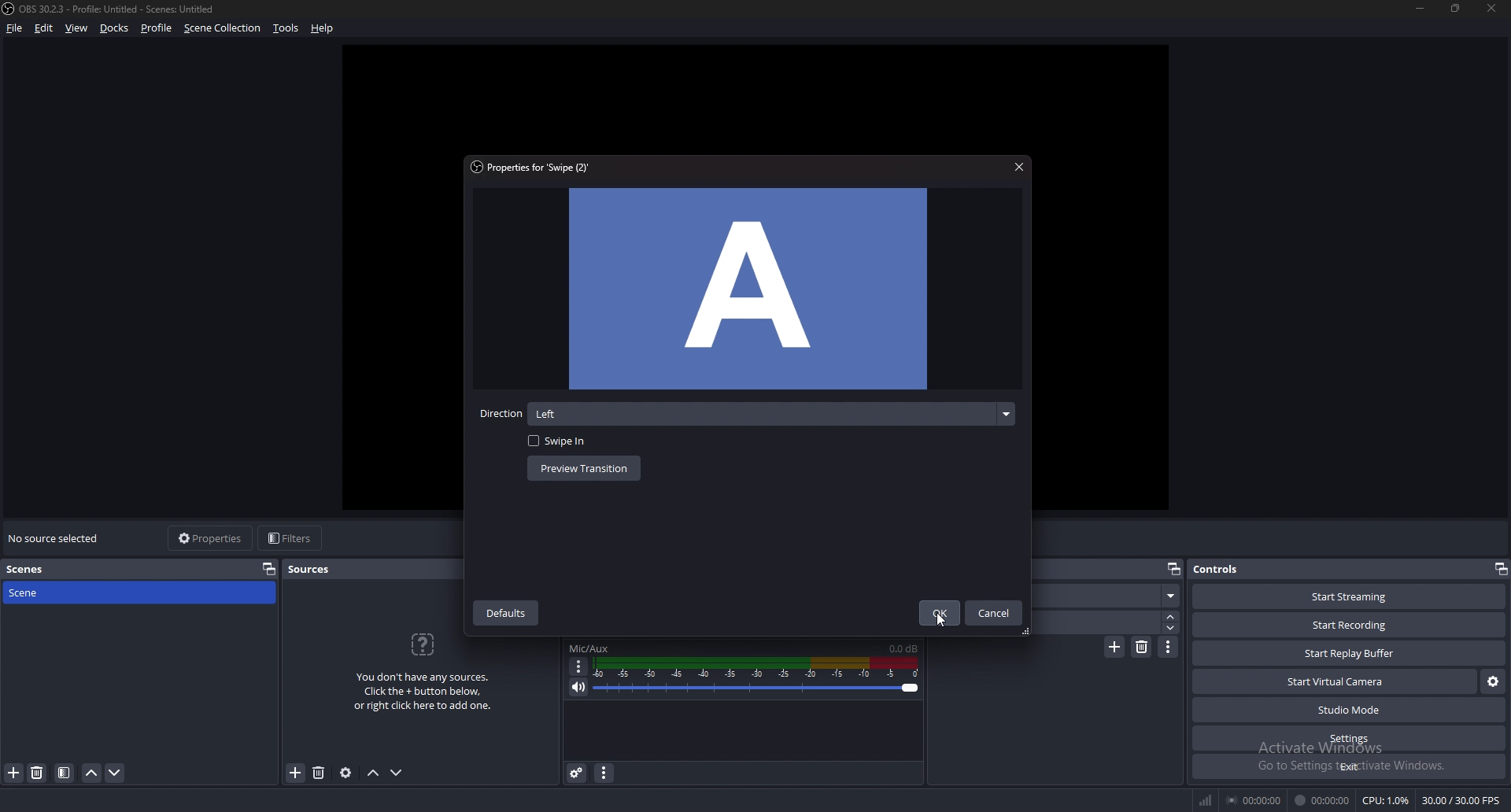 The width and height of the screenshot is (1511, 812). Describe the element at coordinates (563, 441) in the screenshot. I see `swipe in` at that location.